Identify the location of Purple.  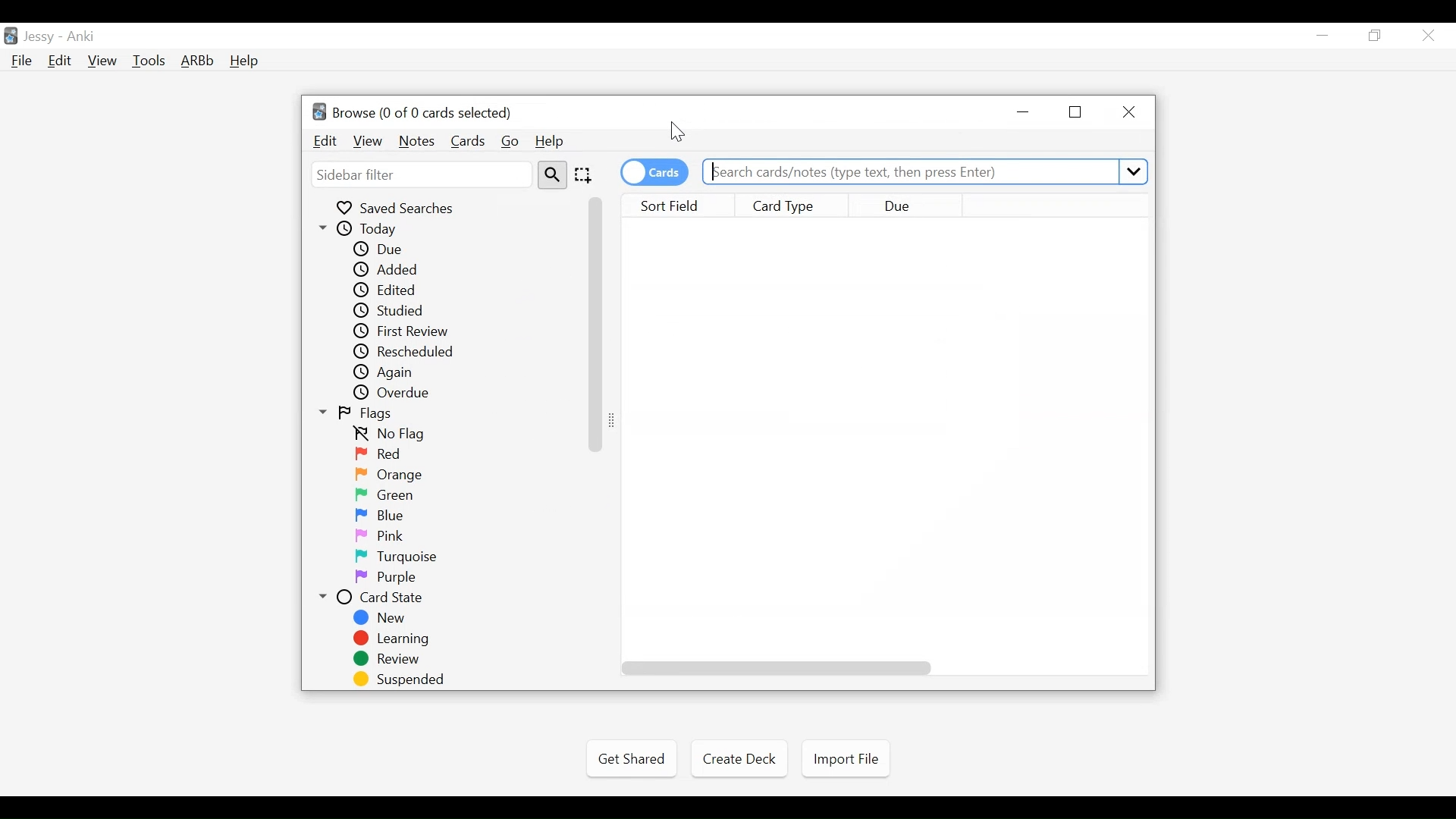
(389, 578).